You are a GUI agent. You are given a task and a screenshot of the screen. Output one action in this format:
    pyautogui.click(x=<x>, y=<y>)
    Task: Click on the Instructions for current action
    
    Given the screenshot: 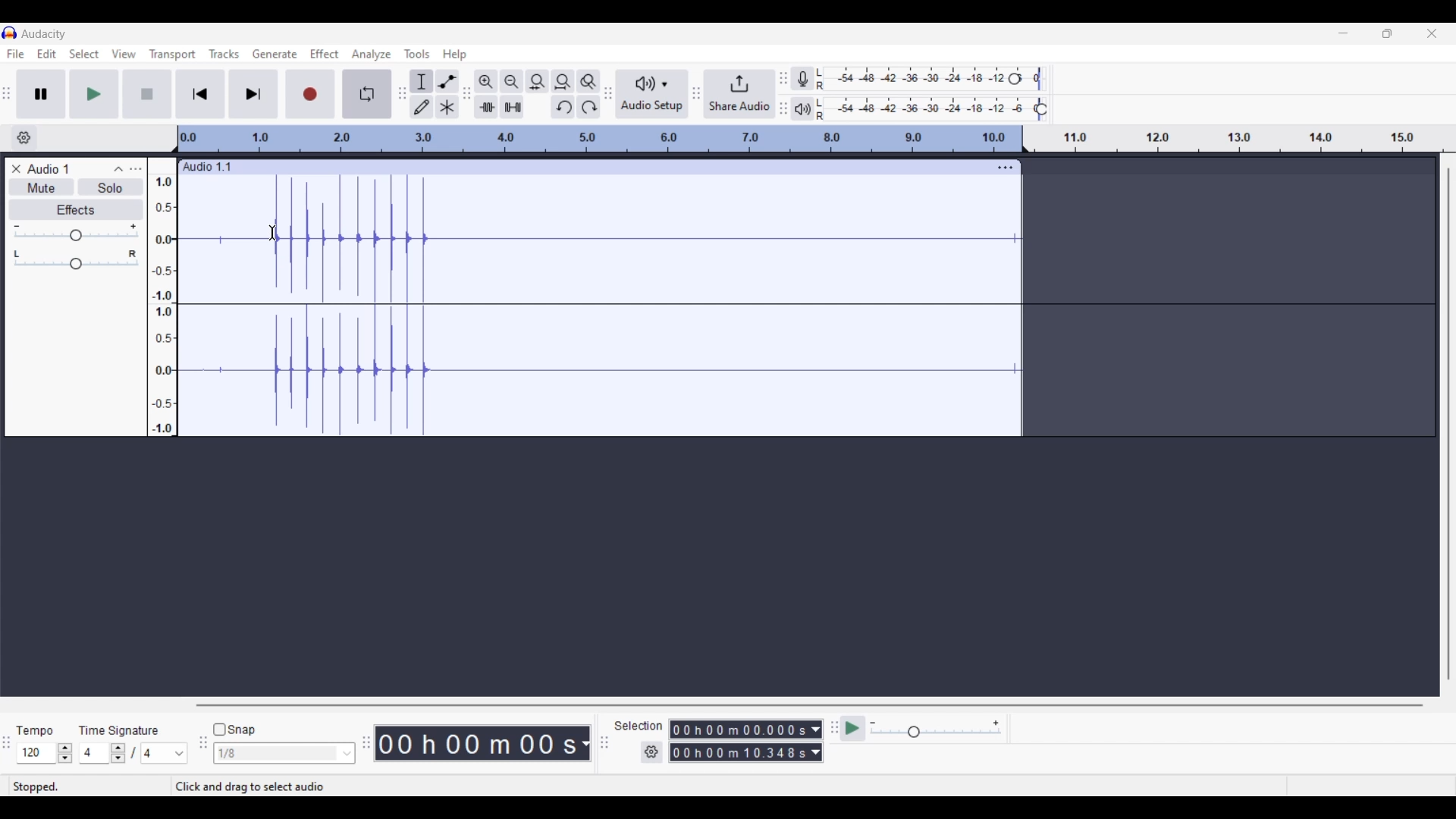 What is the action you would take?
    pyautogui.click(x=265, y=787)
    